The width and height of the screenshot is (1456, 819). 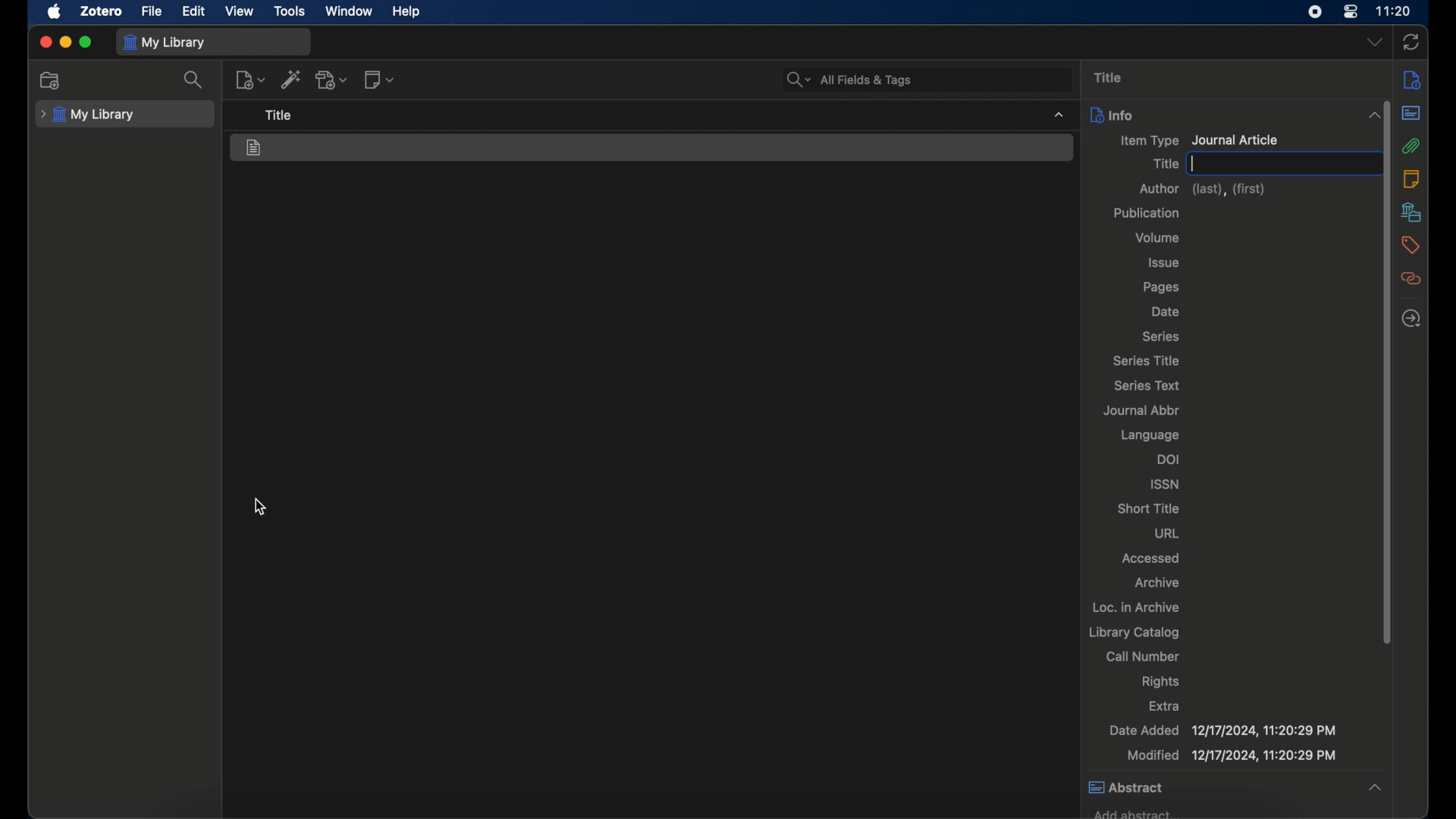 I want to click on info, so click(x=1228, y=114).